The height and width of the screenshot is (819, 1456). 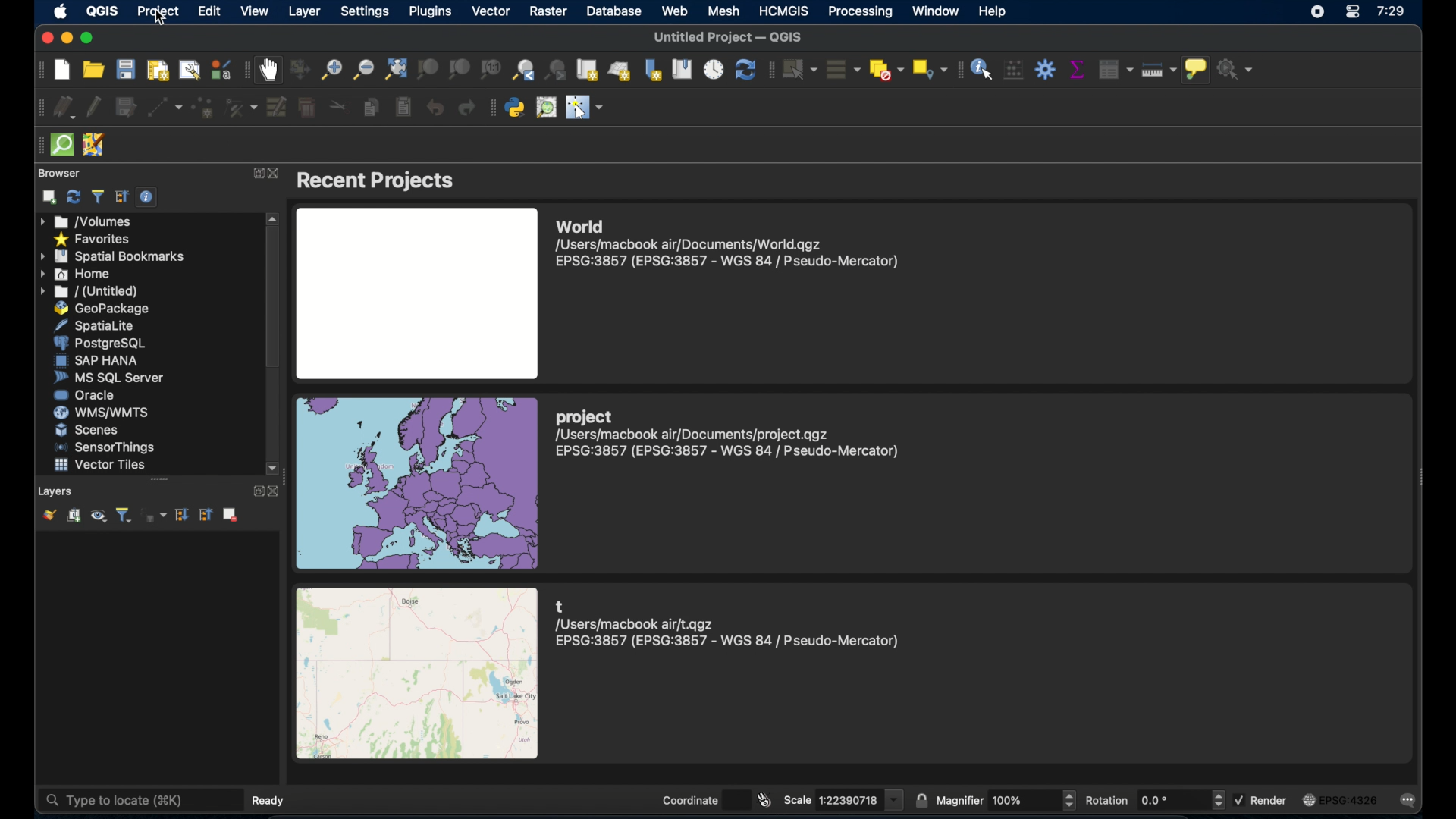 I want to click on zoom to layer, so click(x=459, y=69).